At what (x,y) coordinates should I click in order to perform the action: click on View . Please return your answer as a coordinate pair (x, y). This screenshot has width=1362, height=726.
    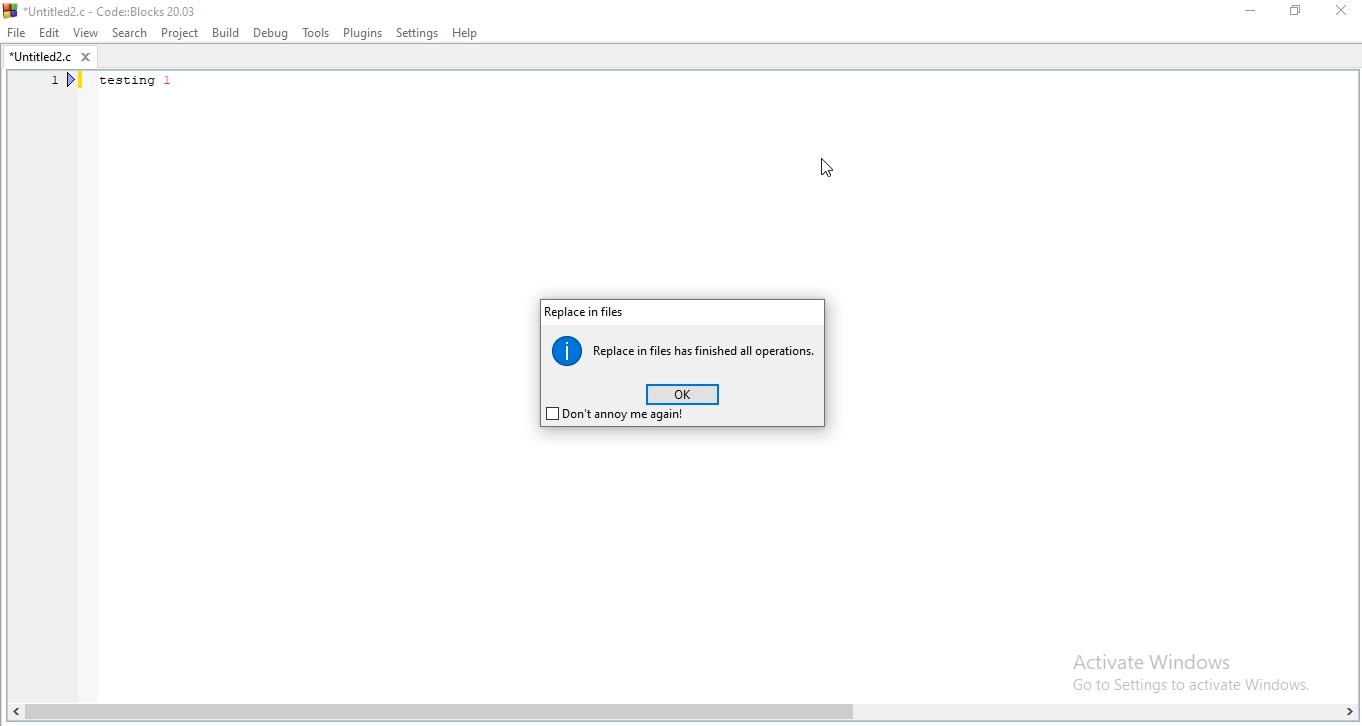
    Looking at the image, I should click on (85, 32).